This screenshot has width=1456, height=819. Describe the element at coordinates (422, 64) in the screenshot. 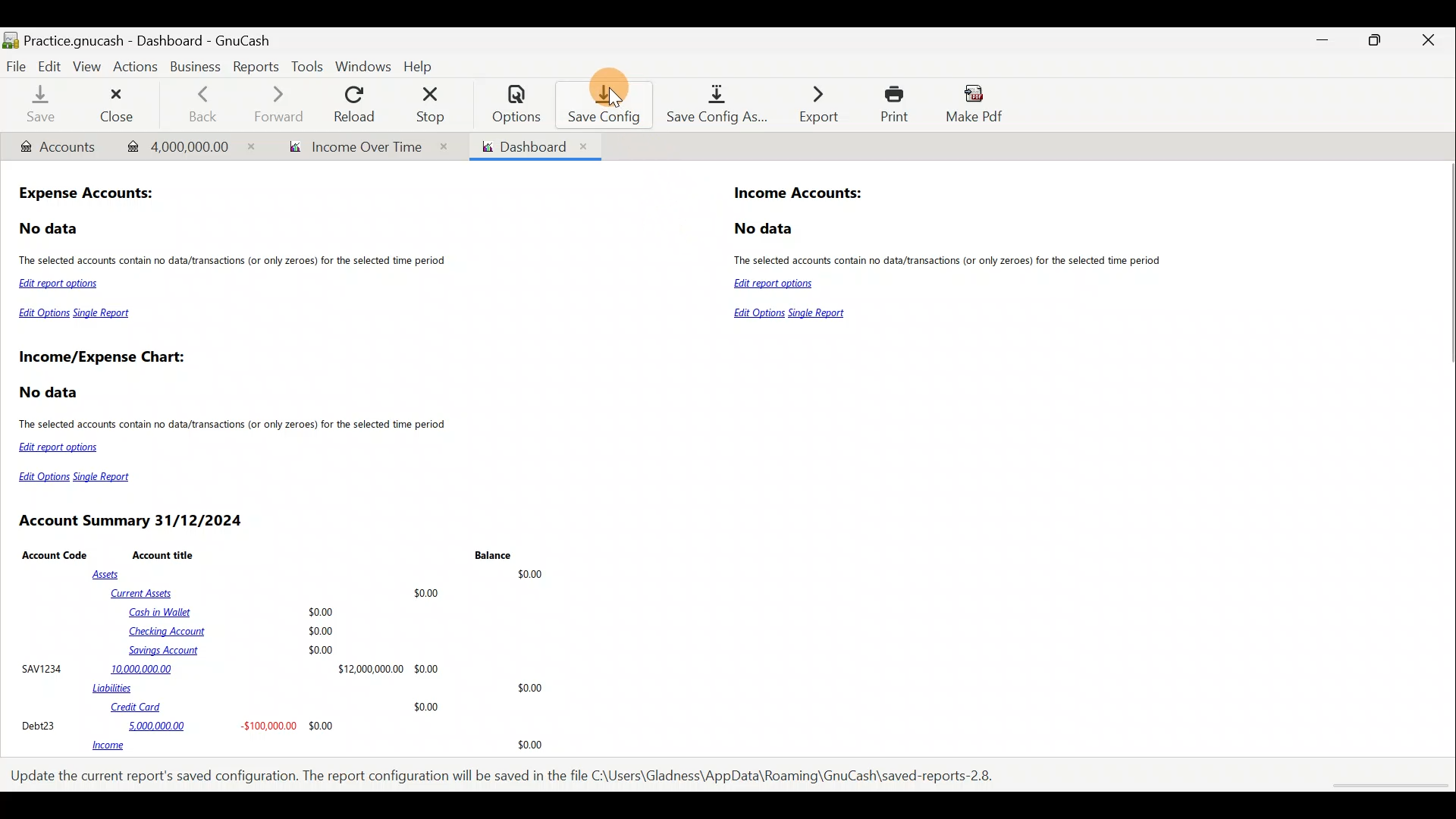

I see `Help` at that location.